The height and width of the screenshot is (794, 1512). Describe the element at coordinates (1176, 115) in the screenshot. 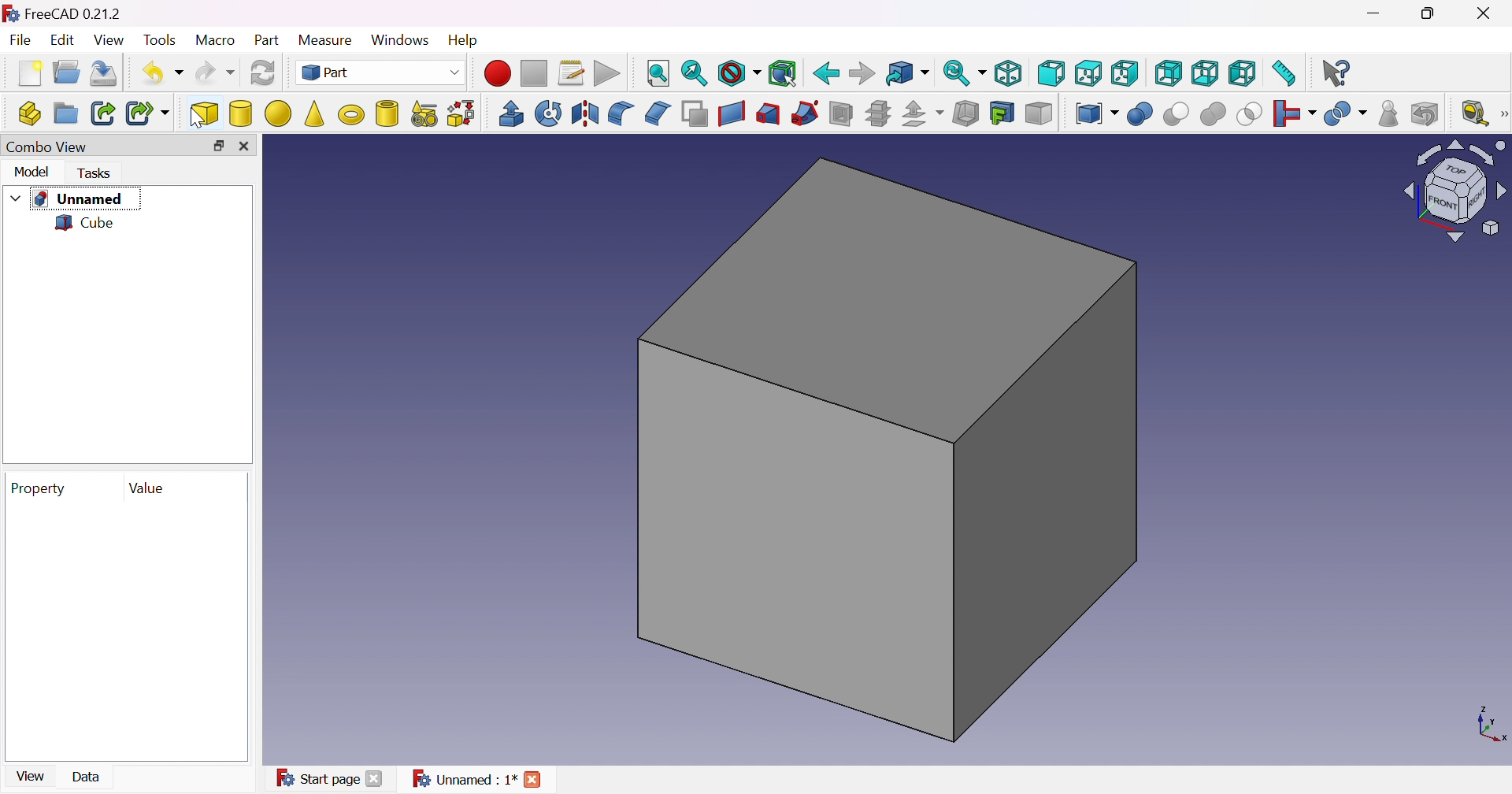

I see `Cut` at that location.